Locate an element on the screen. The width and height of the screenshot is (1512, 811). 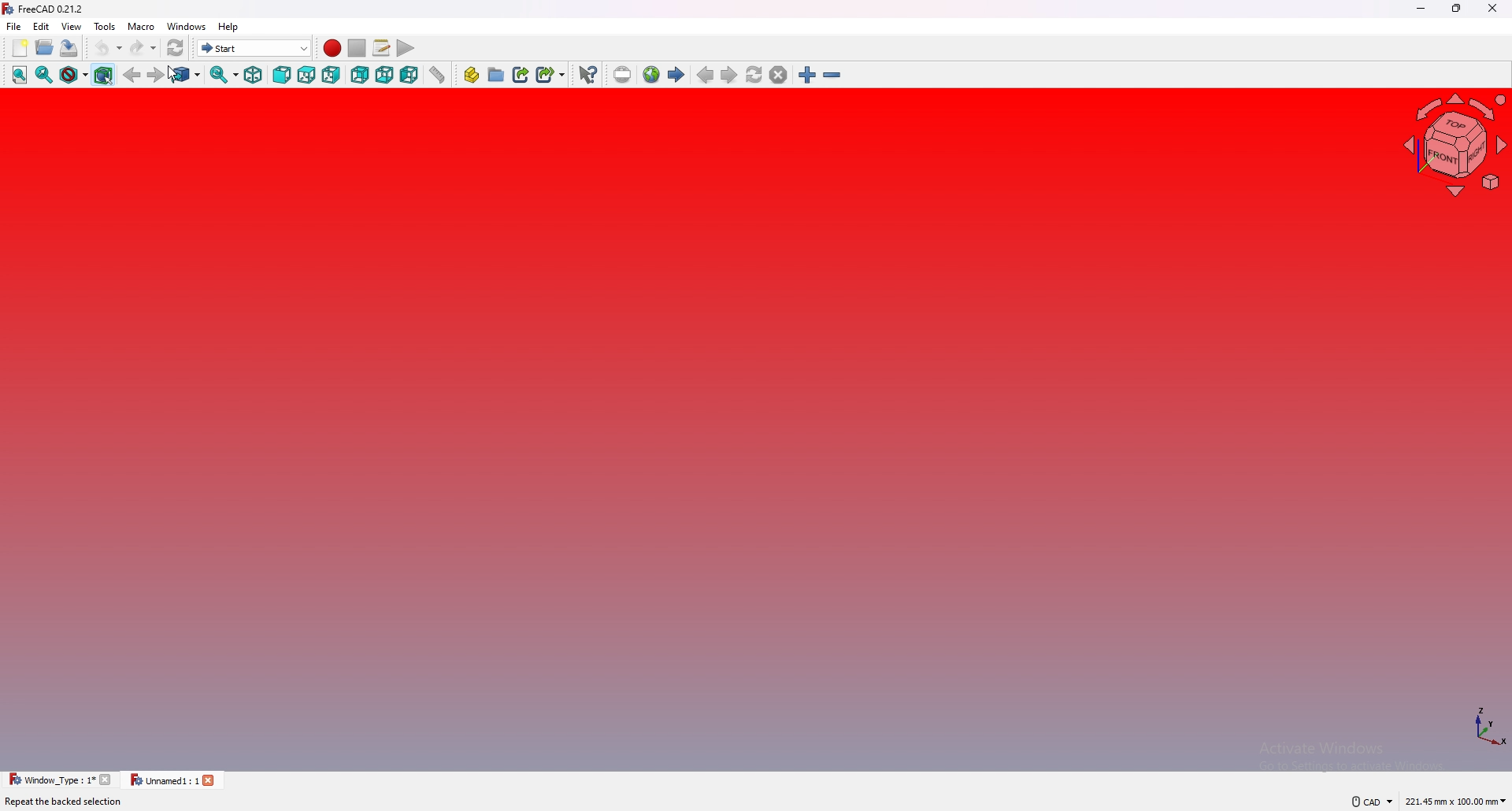
open is located at coordinates (43, 46).